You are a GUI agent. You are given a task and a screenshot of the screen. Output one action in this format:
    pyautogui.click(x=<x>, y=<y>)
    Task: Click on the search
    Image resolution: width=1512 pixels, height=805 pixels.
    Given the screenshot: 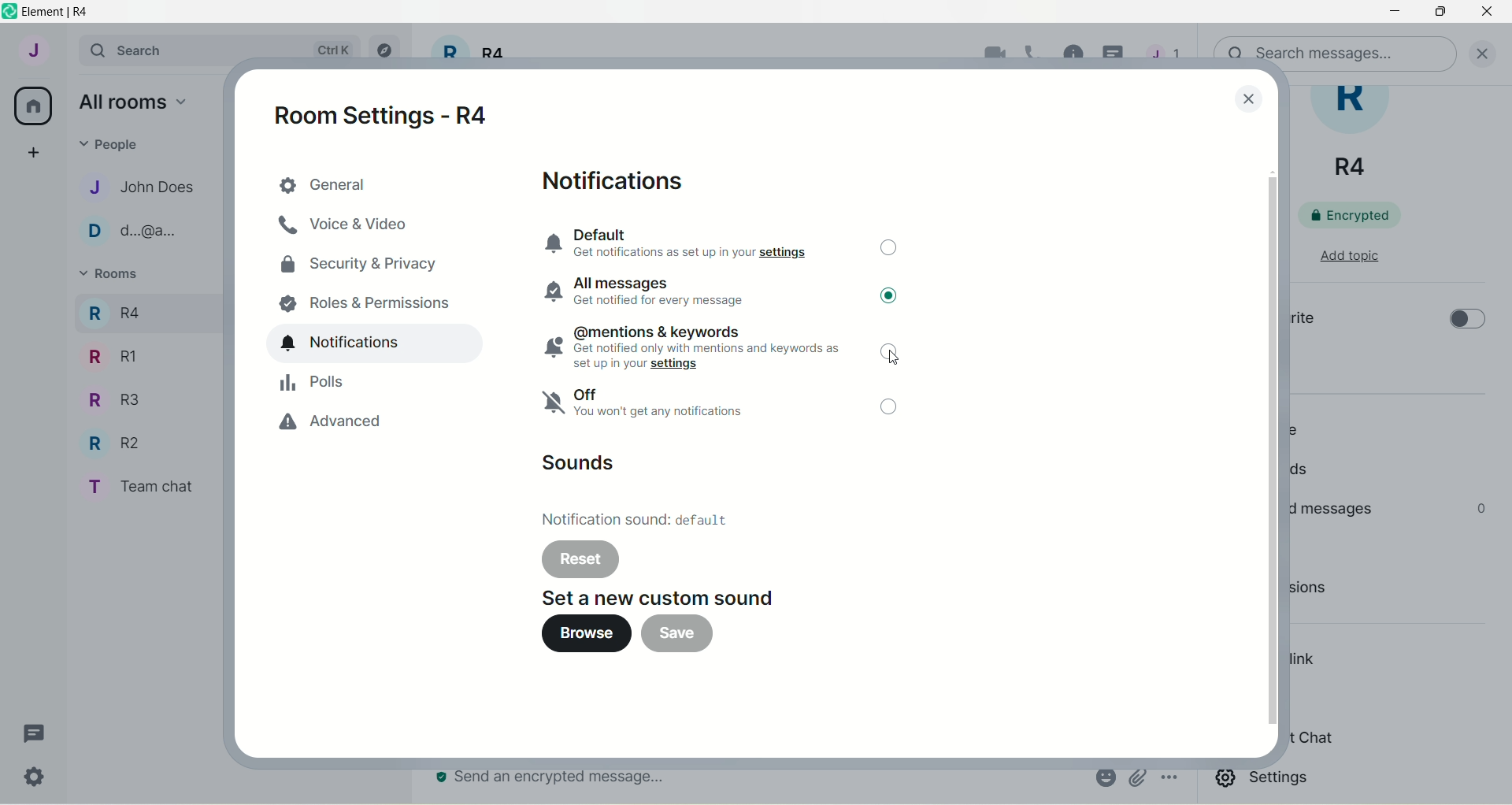 What is the action you would take?
    pyautogui.click(x=144, y=49)
    